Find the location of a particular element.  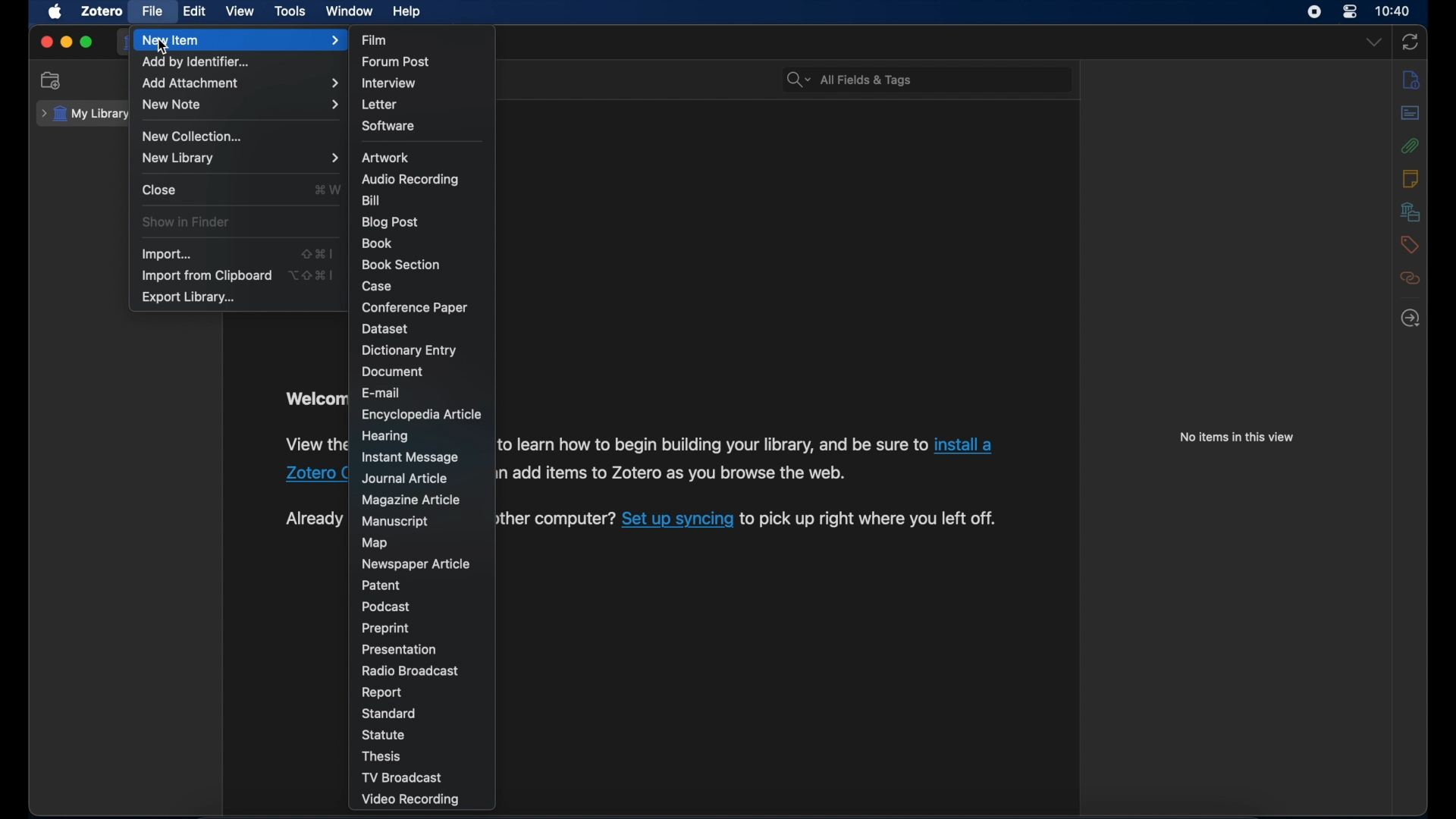

Set up syncing is located at coordinates (678, 521).